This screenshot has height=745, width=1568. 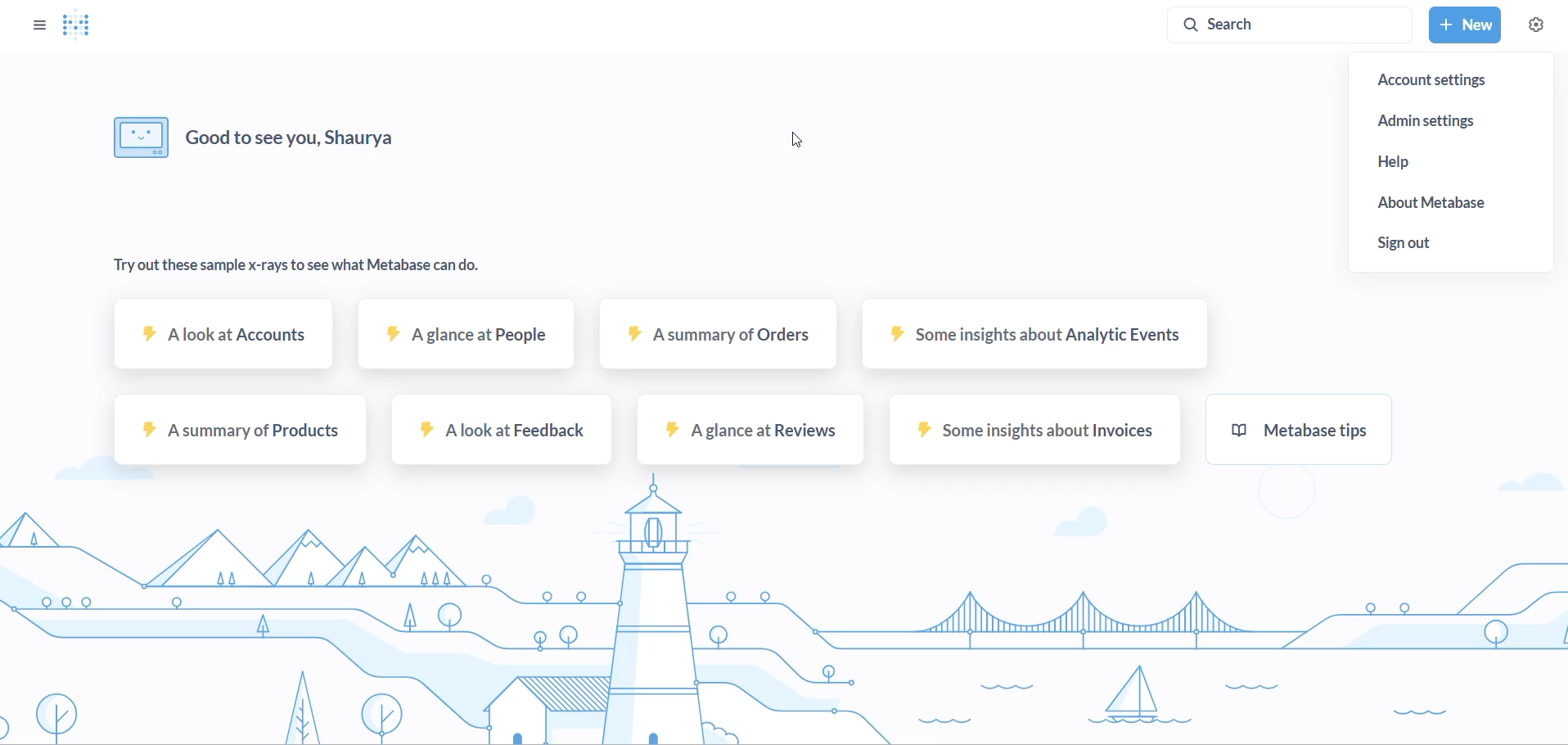 What do you see at coordinates (1458, 241) in the screenshot?
I see `sign out` at bounding box center [1458, 241].